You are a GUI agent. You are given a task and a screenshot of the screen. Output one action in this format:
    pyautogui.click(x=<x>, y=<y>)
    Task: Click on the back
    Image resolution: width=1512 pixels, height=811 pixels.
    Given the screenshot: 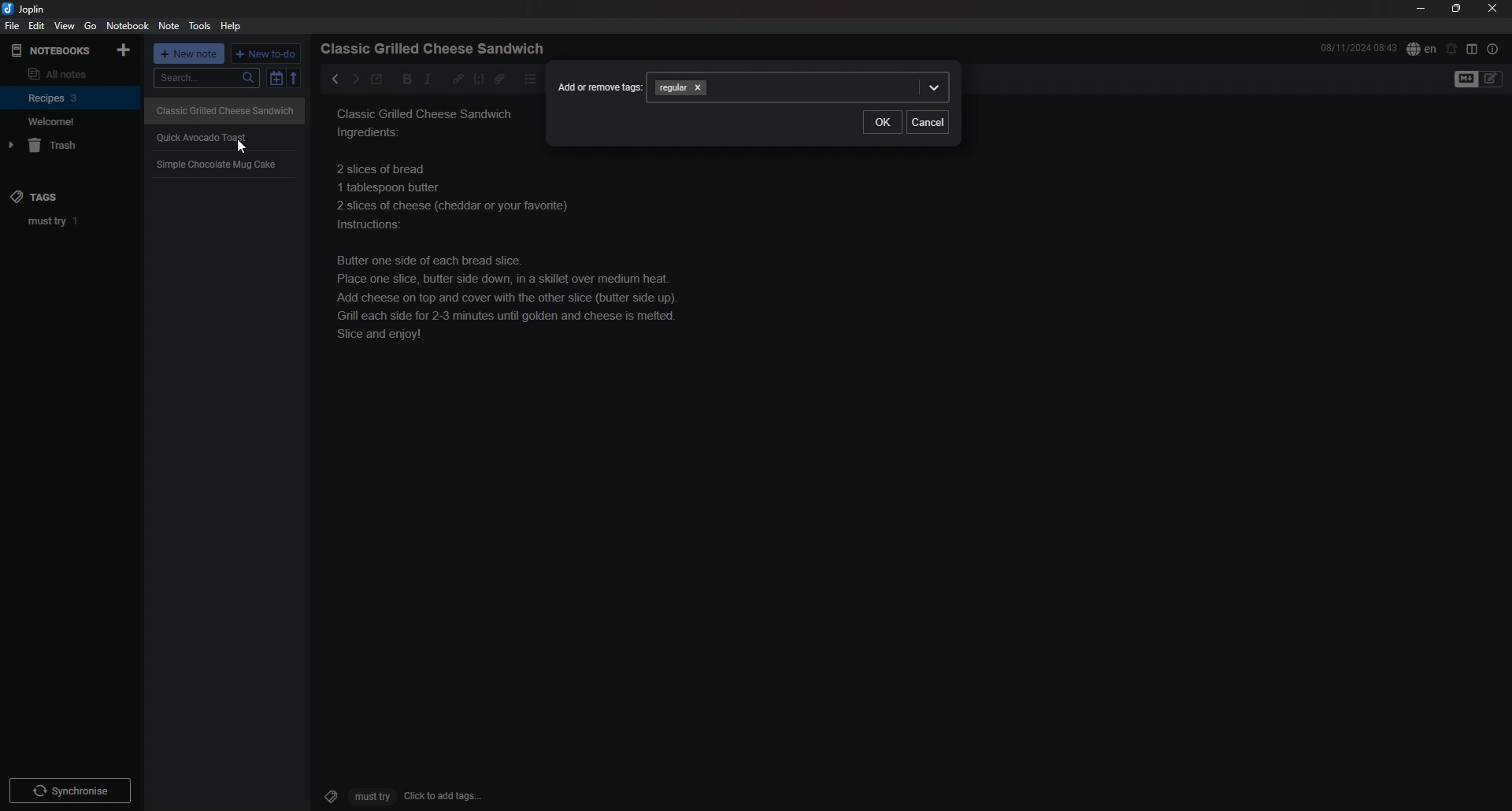 What is the action you would take?
    pyautogui.click(x=332, y=78)
    